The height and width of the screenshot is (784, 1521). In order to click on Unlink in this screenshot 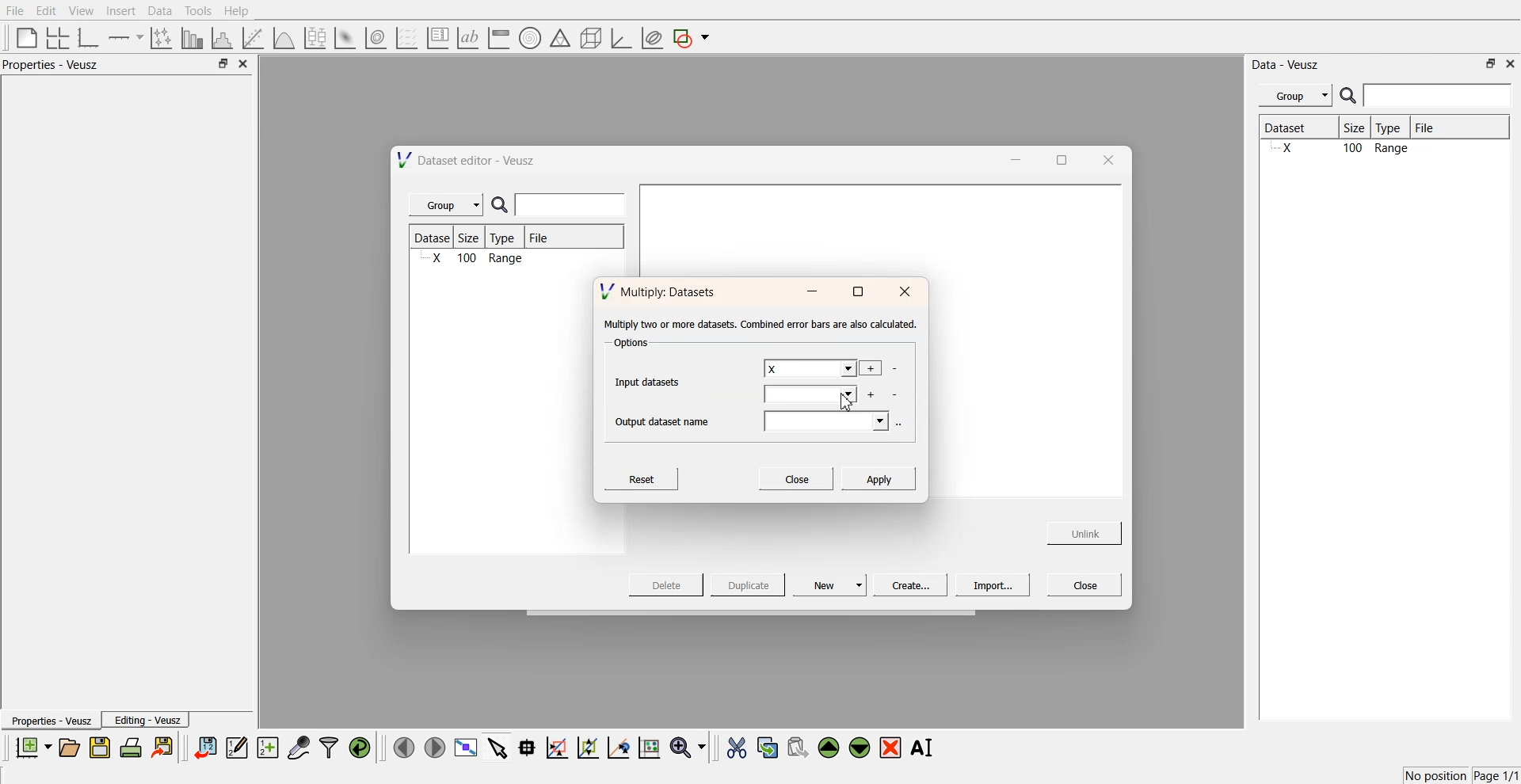, I will do `click(1085, 531)`.